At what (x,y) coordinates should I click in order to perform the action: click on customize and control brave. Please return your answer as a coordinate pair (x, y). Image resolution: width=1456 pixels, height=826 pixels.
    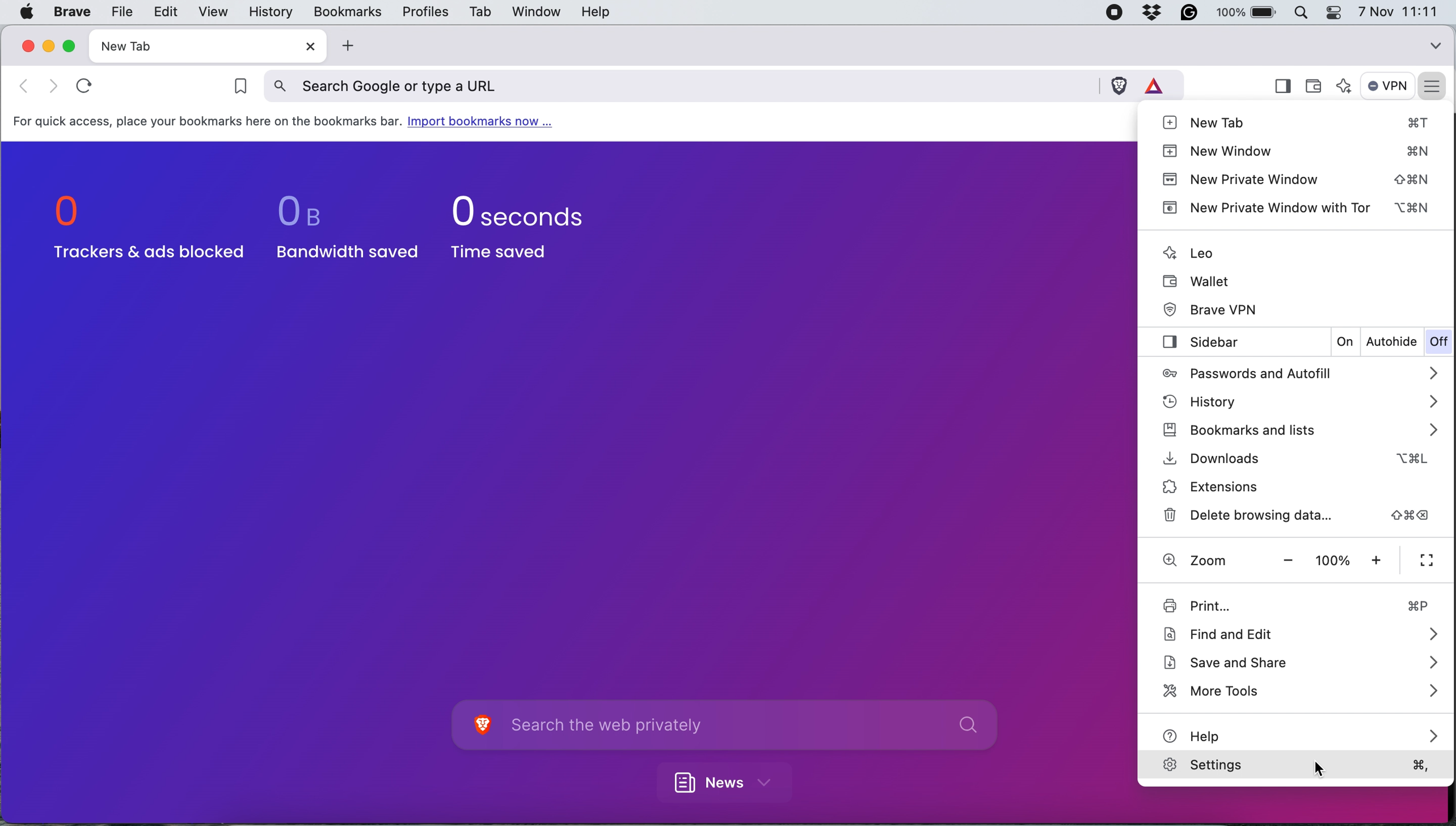
    Looking at the image, I should click on (1434, 85).